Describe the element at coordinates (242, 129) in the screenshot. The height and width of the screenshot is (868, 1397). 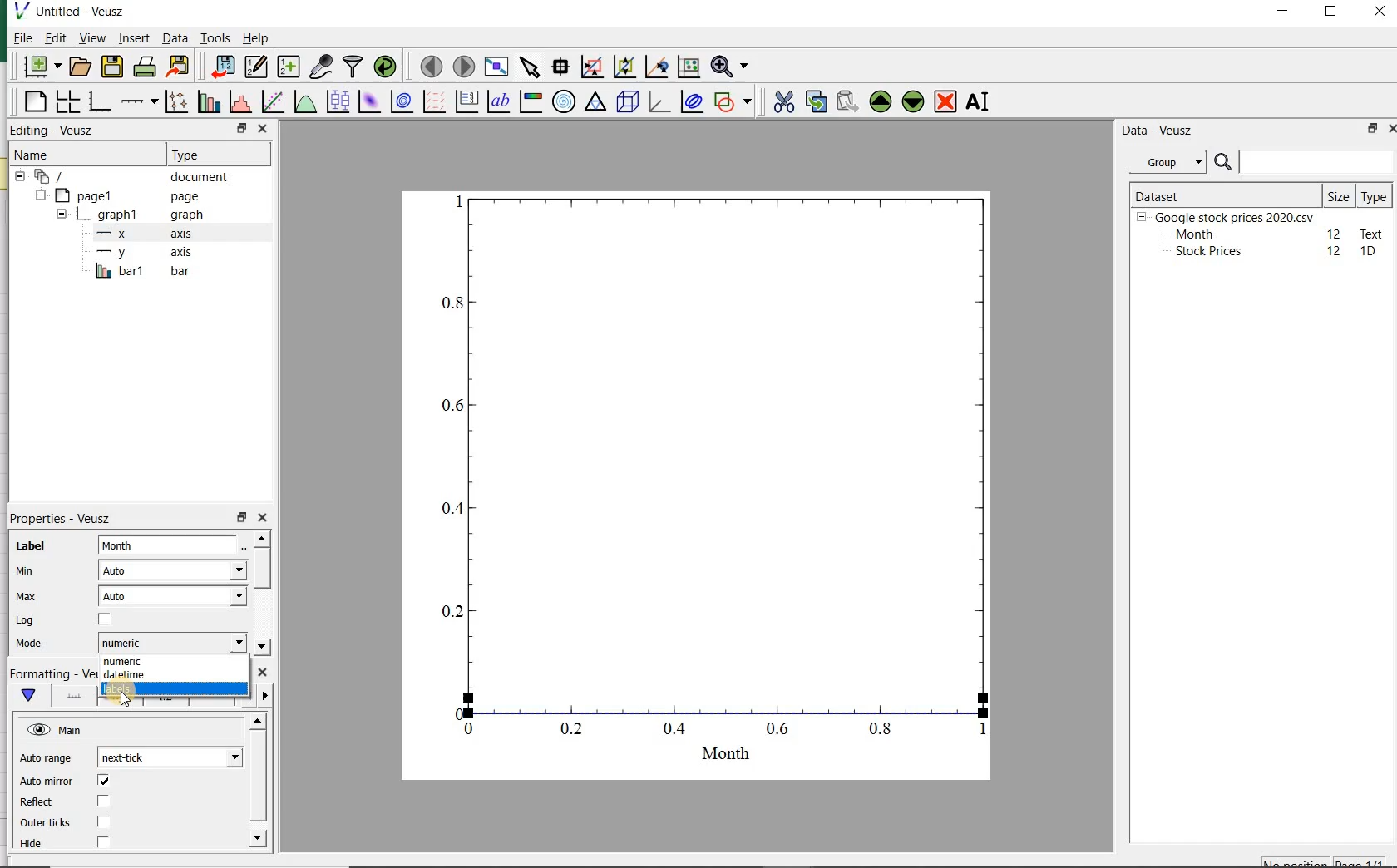
I see `restore` at that location.